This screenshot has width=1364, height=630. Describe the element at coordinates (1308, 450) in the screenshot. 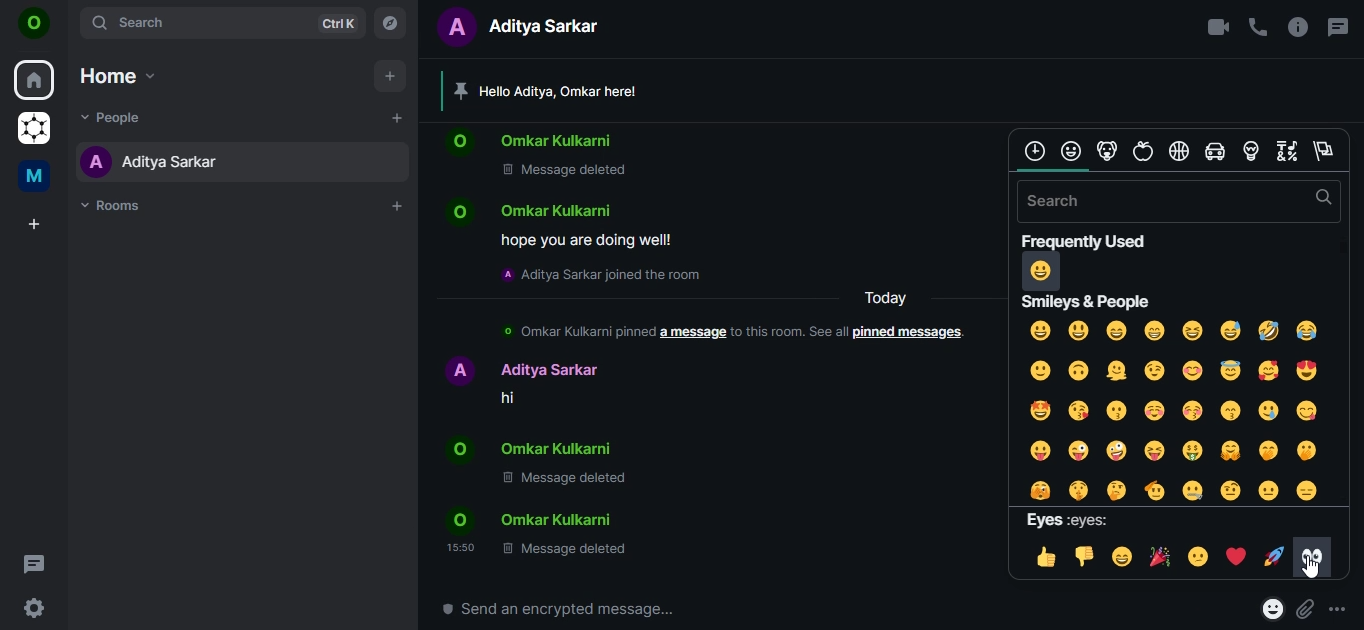

I see `face with open mouth and hand over mouth` at that location.